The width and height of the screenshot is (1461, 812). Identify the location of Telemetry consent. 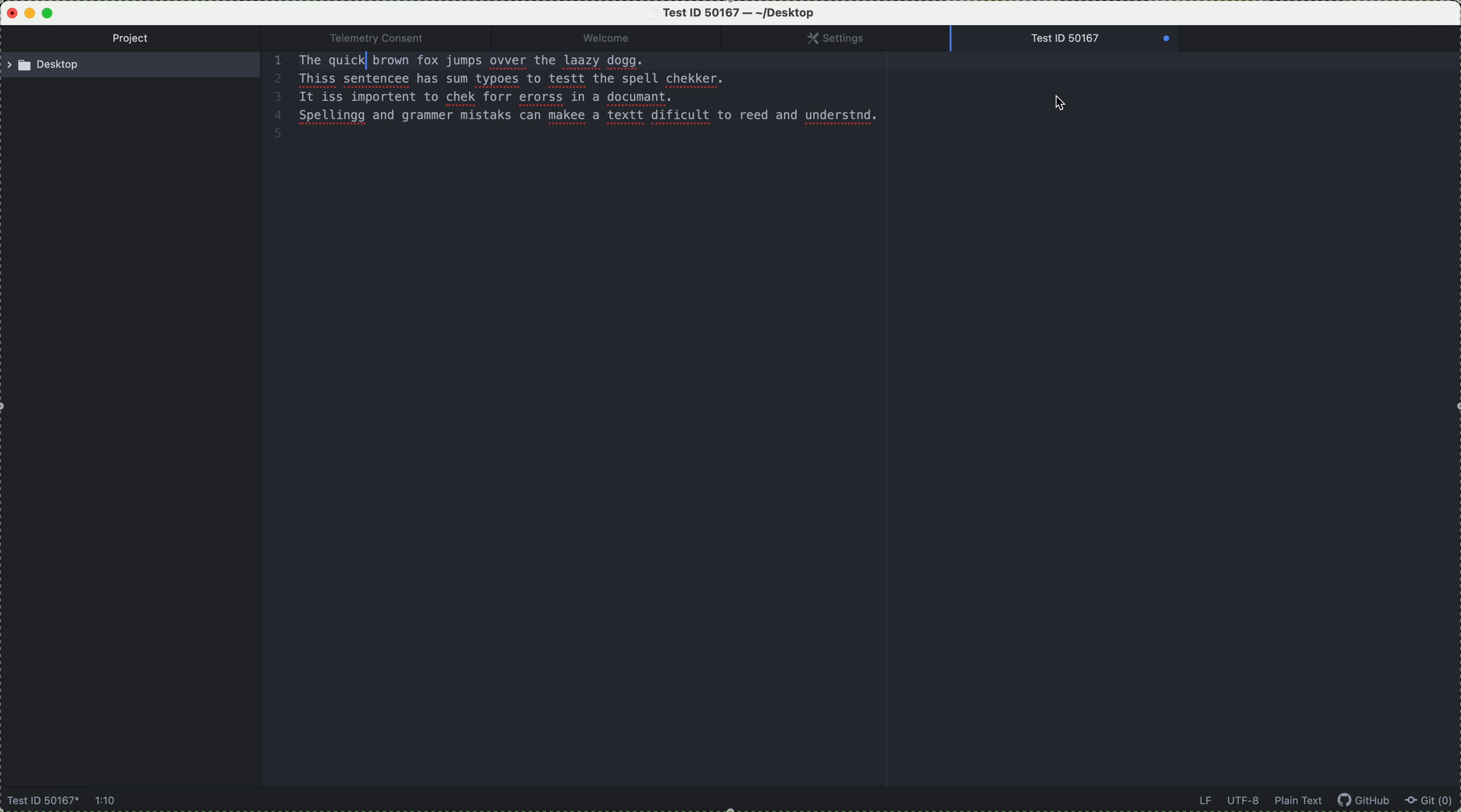
(387, 38).